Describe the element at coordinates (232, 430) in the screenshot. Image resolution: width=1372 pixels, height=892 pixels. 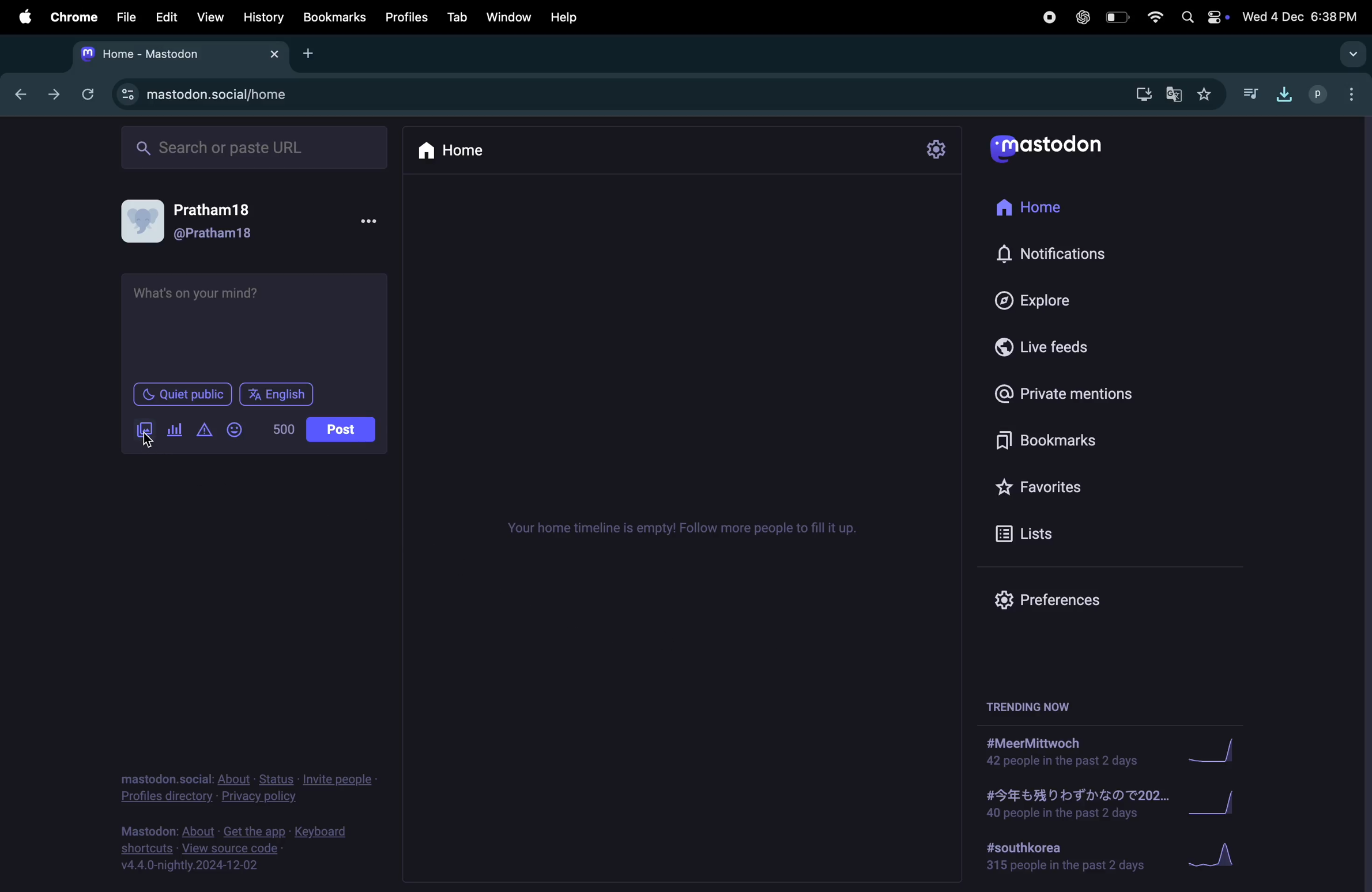
I see `Emoji` at that location.